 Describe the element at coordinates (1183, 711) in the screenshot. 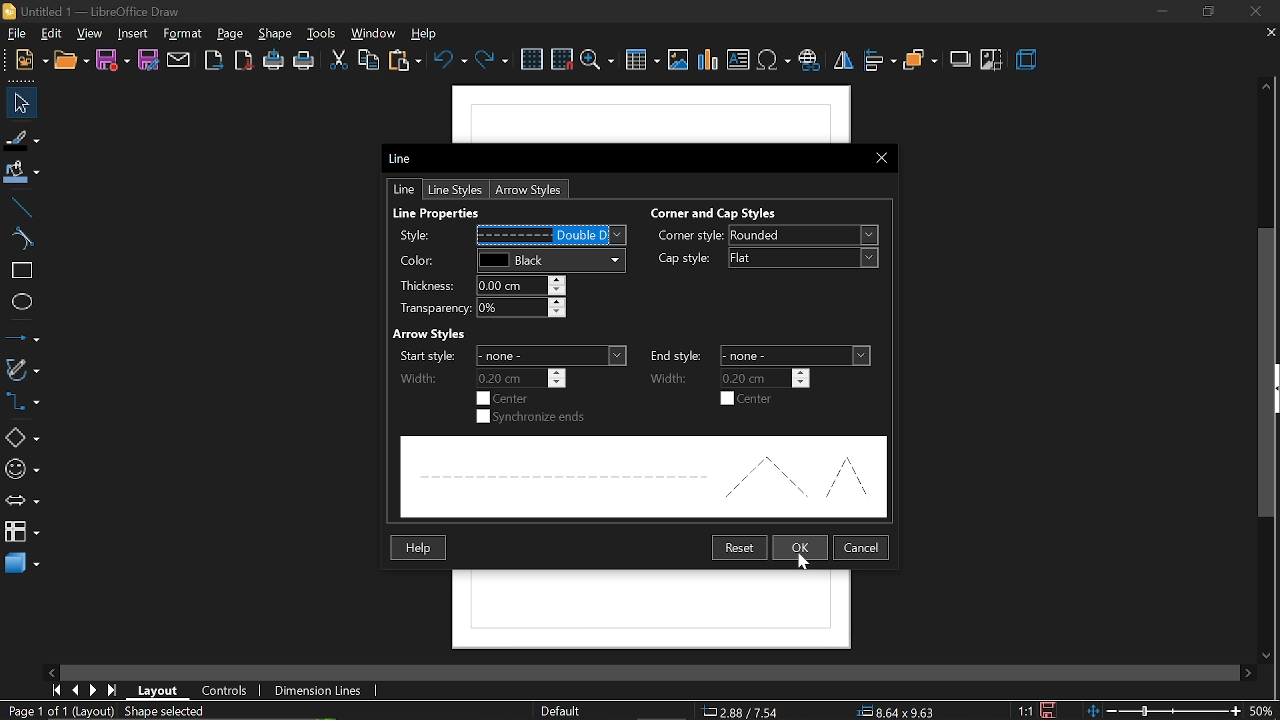

I see `zoom change` at that location.